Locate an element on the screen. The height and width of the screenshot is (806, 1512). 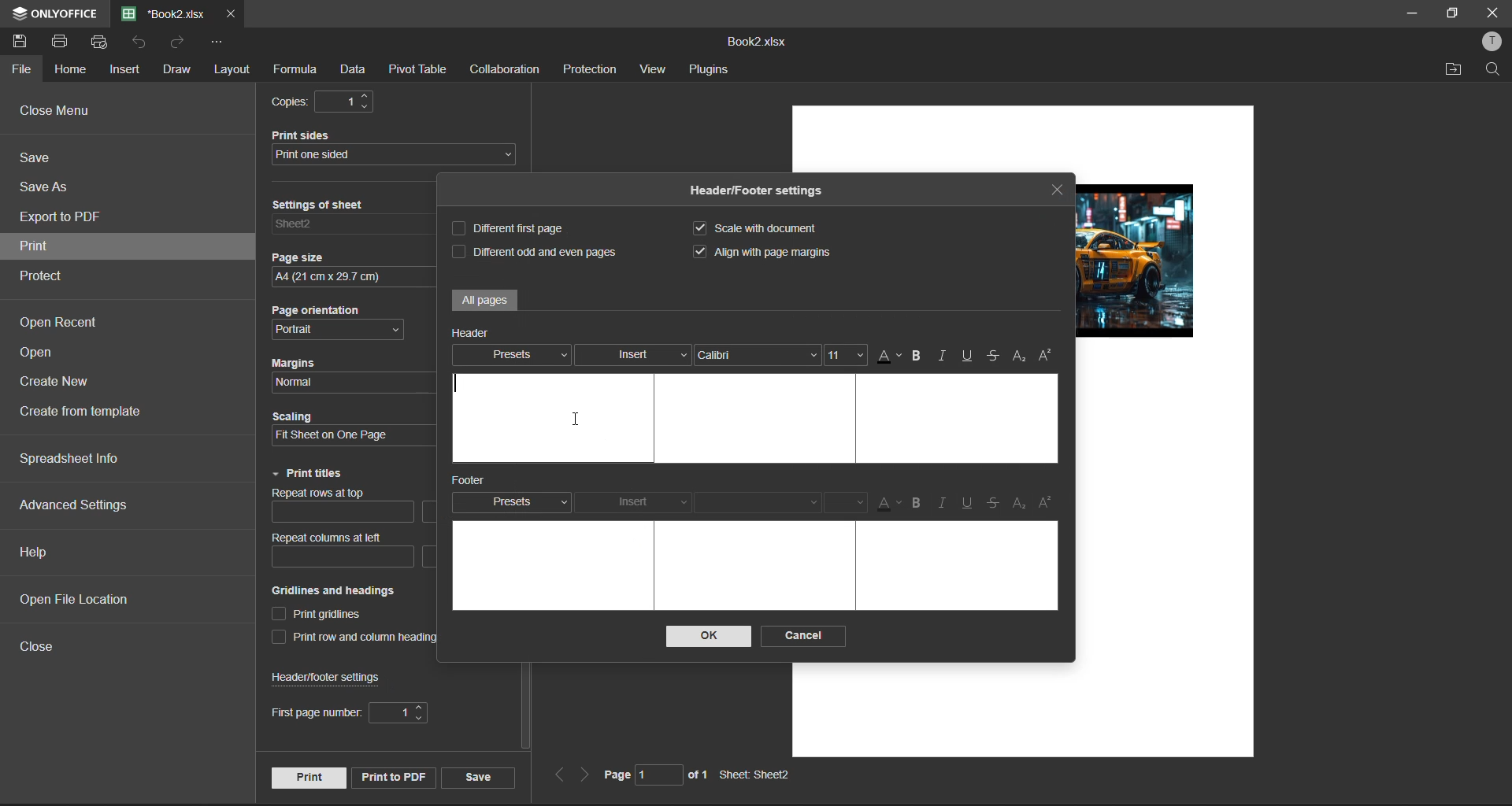
italic is located at coordinates (944, 357).